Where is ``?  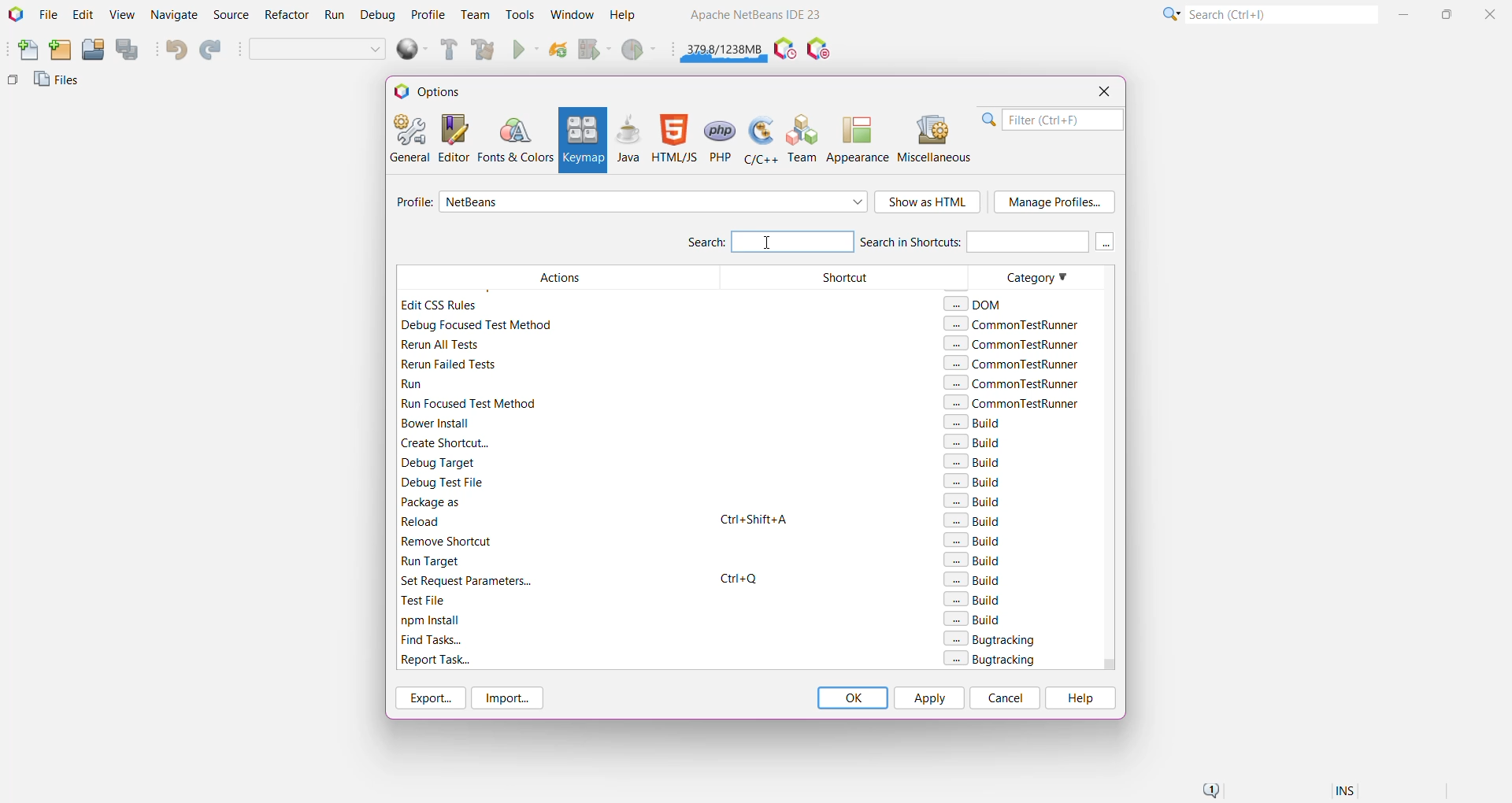
 is located at coordinates (13, 83).